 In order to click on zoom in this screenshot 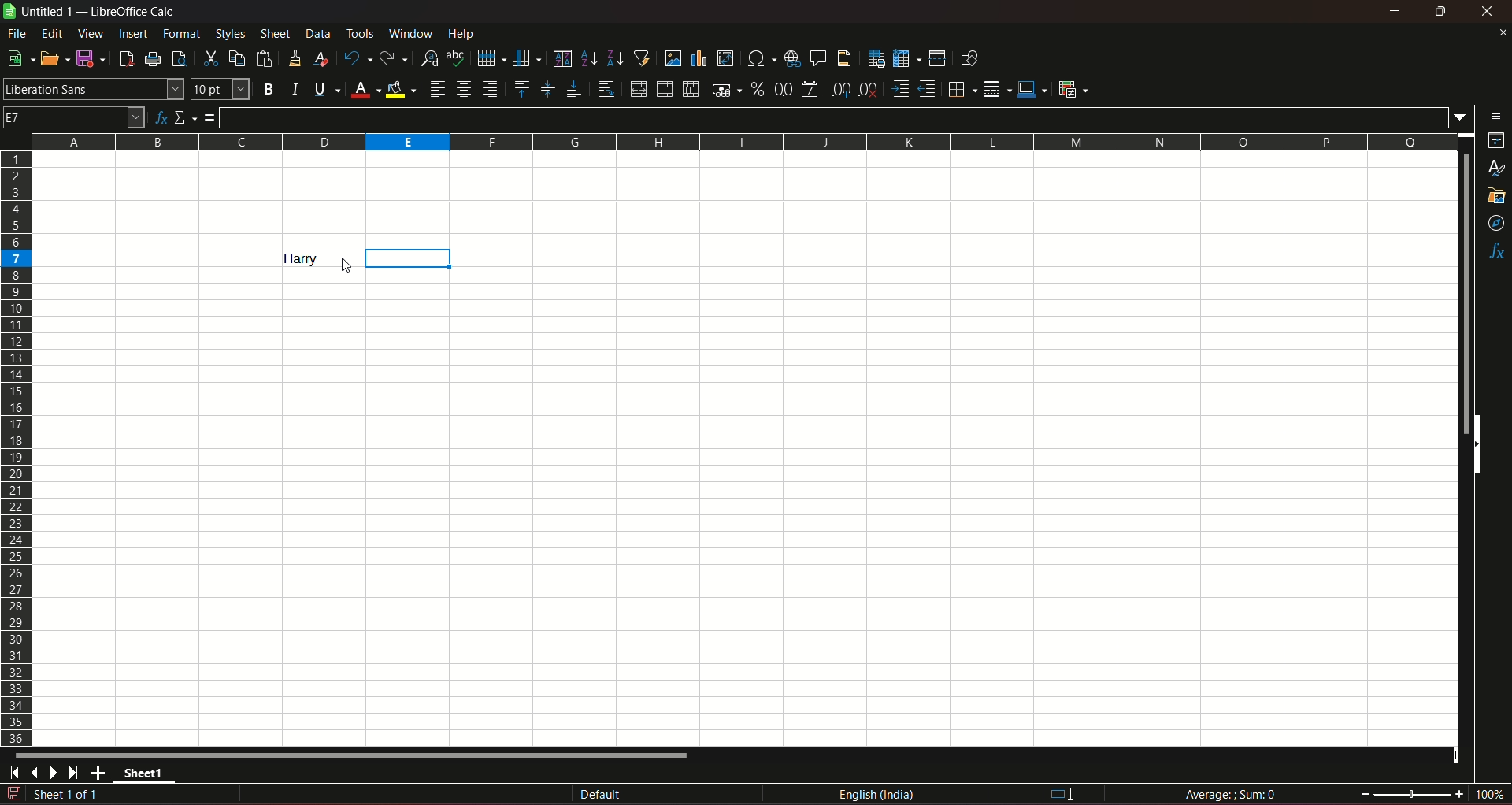, I will do `click(1432, 792)`.